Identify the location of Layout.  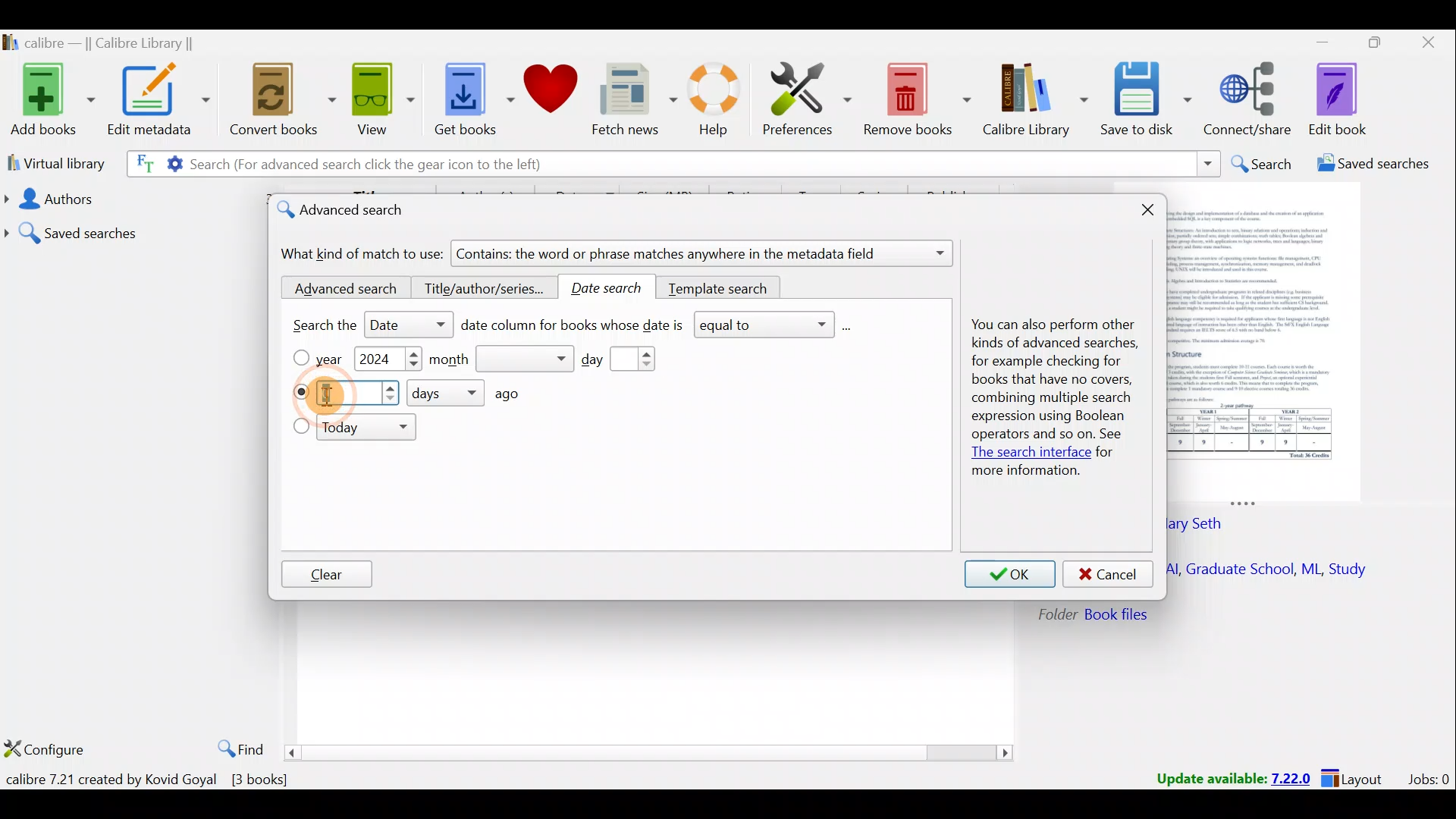
(1357, 777).